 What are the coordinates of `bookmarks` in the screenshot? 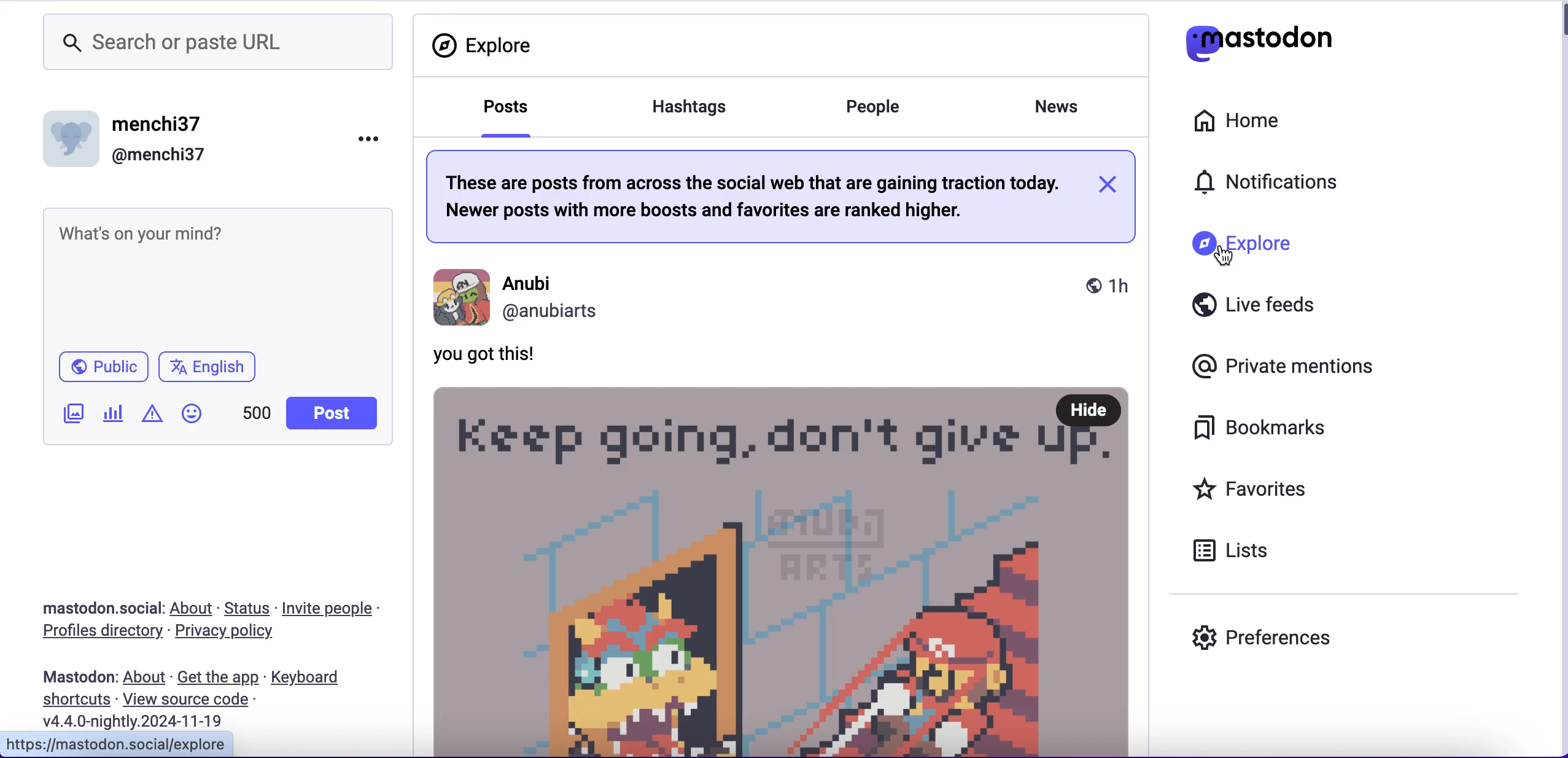 It's located at (1287, 429).